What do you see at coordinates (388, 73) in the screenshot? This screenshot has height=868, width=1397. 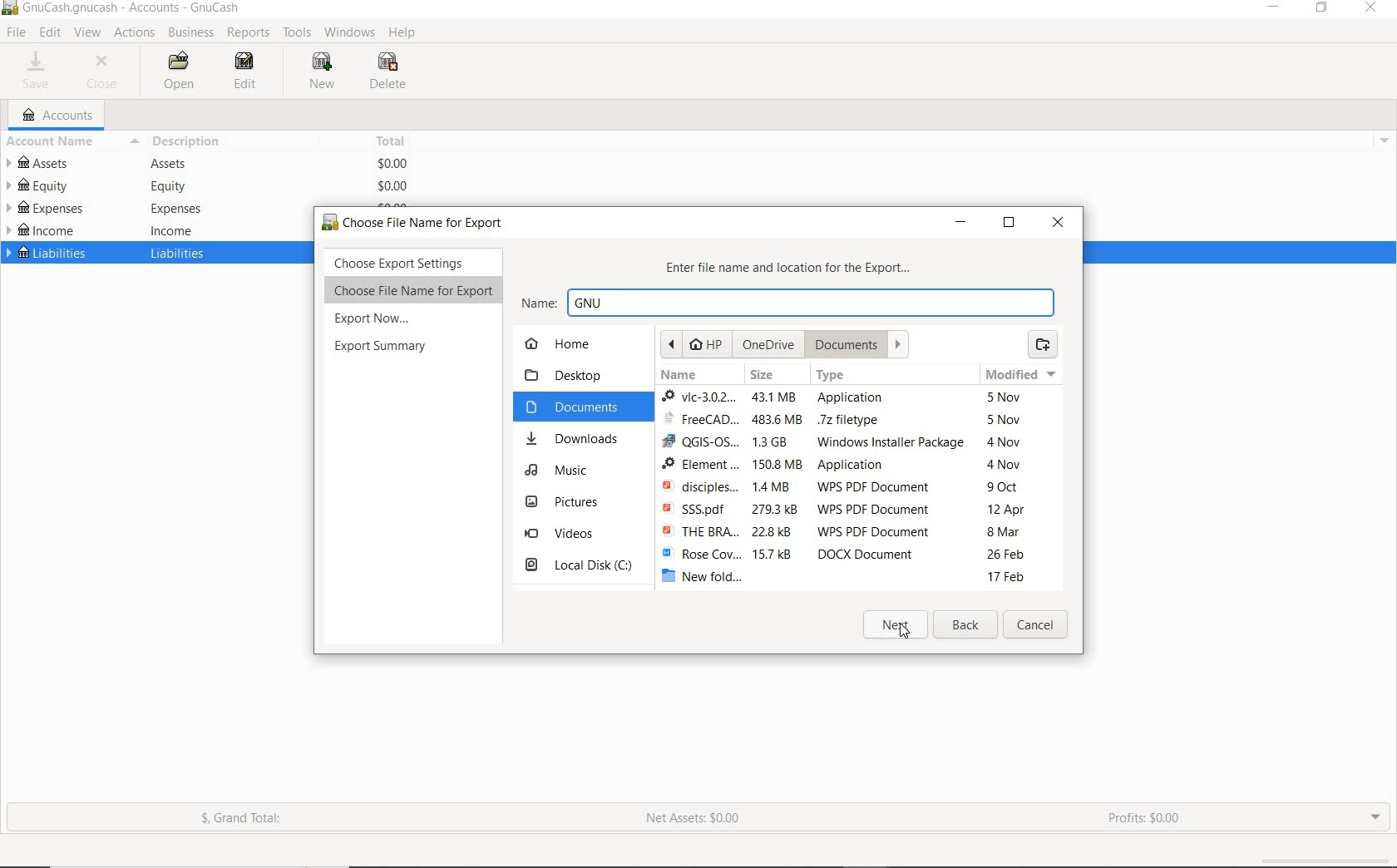 I see `DELETE` at bounding box center [388, 73].